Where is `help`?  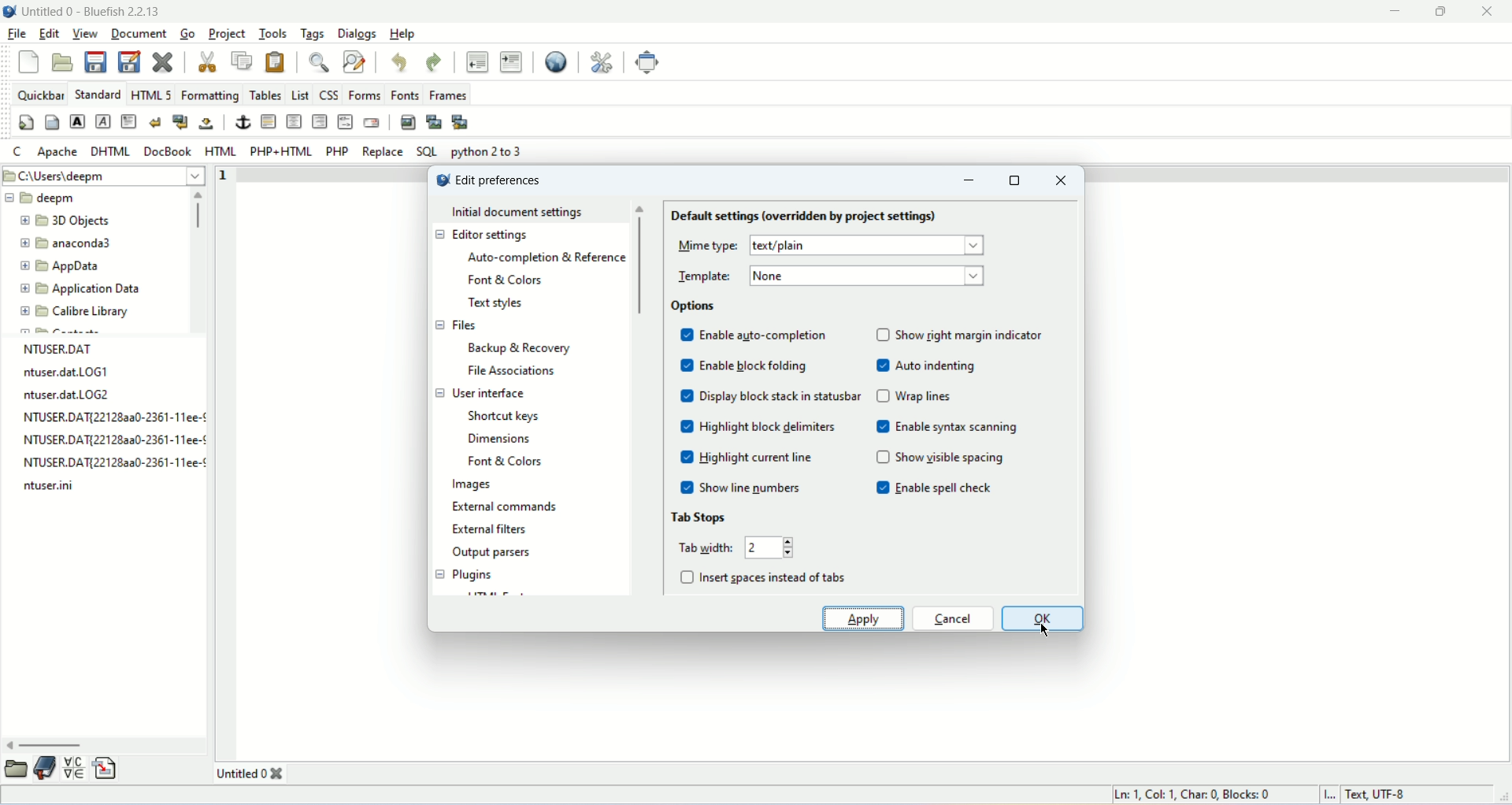 help is located at coordinates (404, 33).